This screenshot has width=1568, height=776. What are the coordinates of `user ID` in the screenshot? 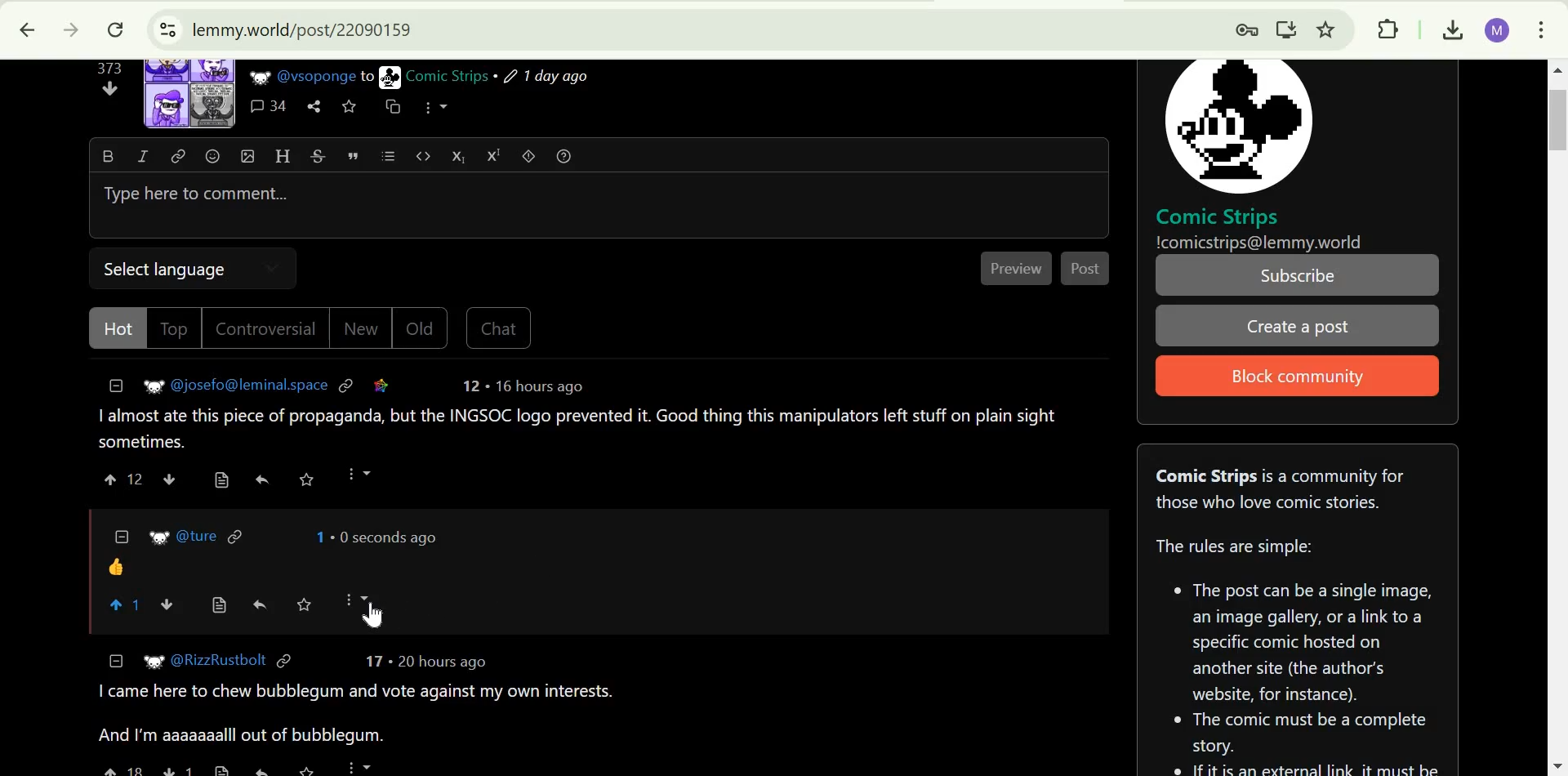 It's located at (198, 536).